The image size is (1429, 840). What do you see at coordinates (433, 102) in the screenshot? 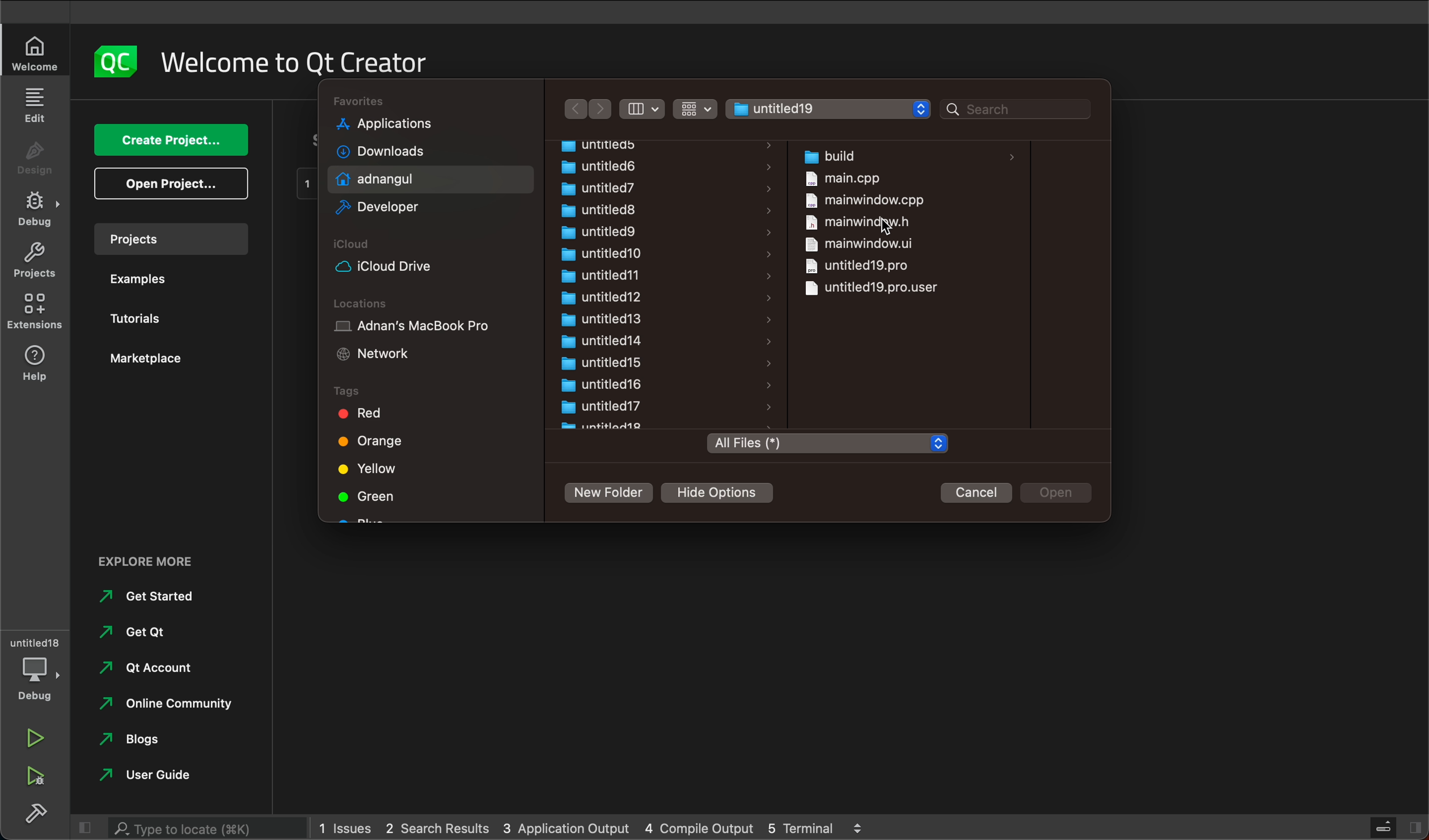
I see `folders` at bounding box center [433, 102].